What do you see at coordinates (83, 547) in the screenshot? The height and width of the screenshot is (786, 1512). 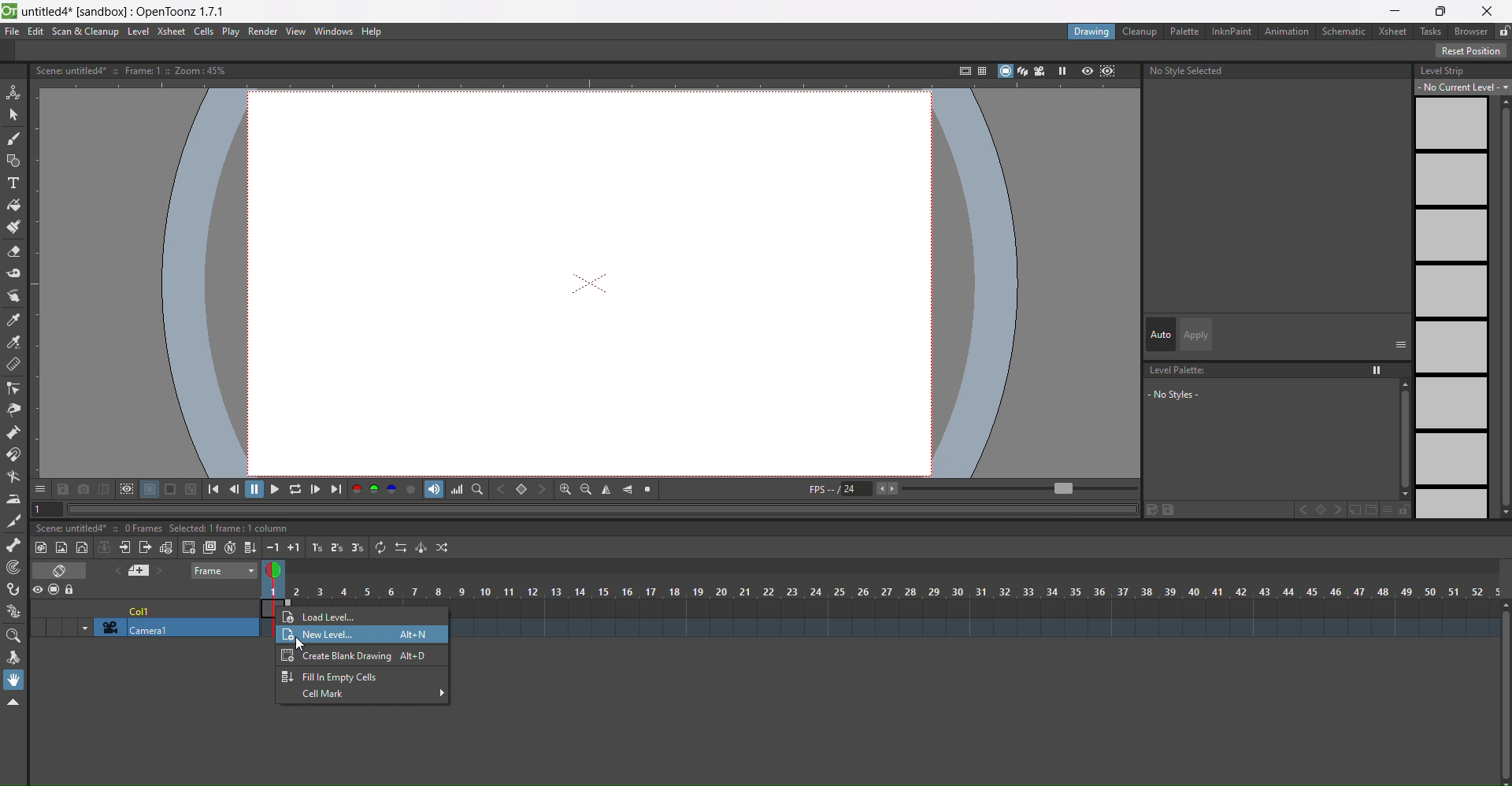 I see `new vector level` at bounding box center [83, 547].